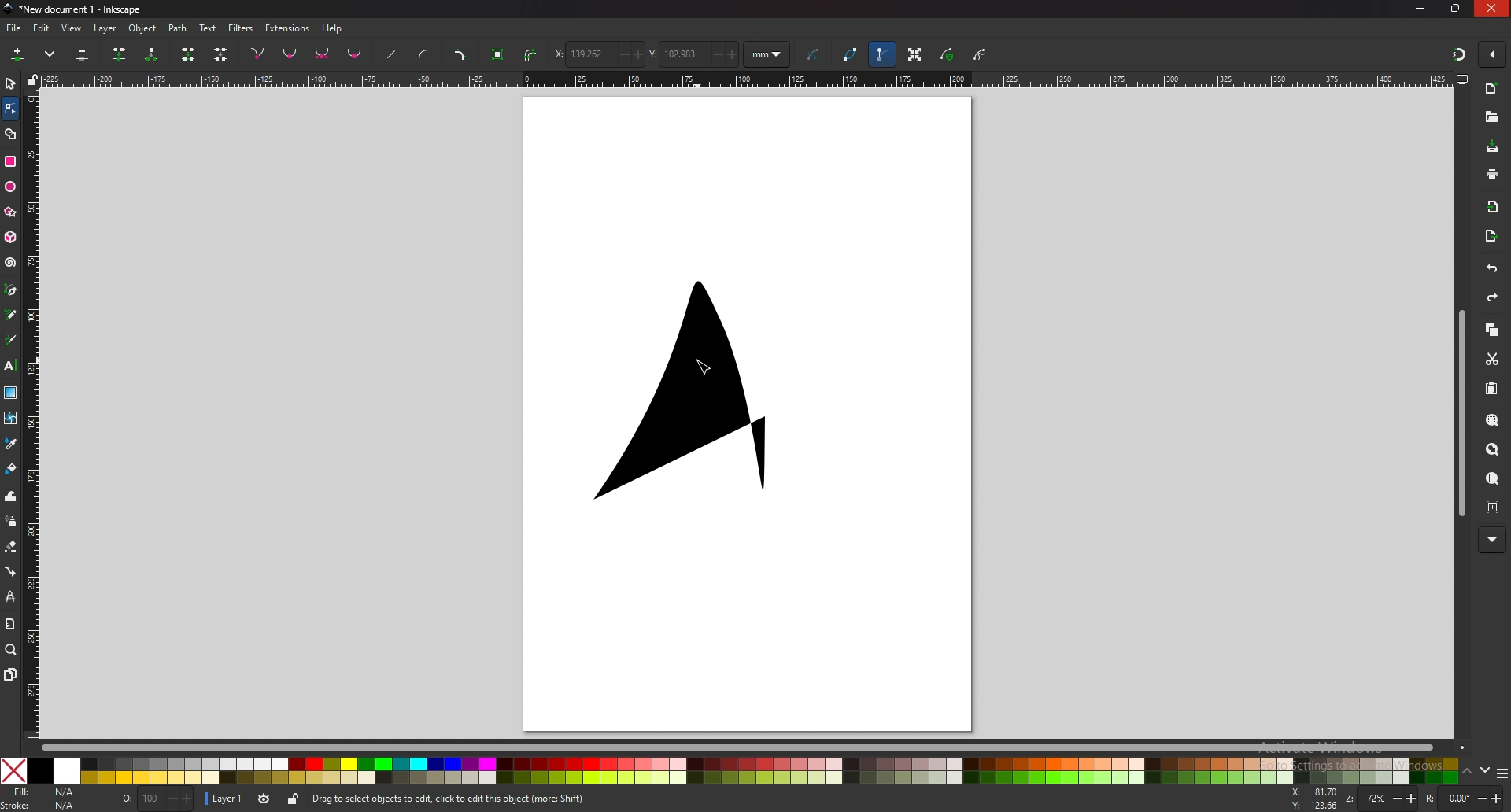  What do you see at coordinates (500, 55) in the screenshot?
I see `object to path` at bounding box center [500, 55].